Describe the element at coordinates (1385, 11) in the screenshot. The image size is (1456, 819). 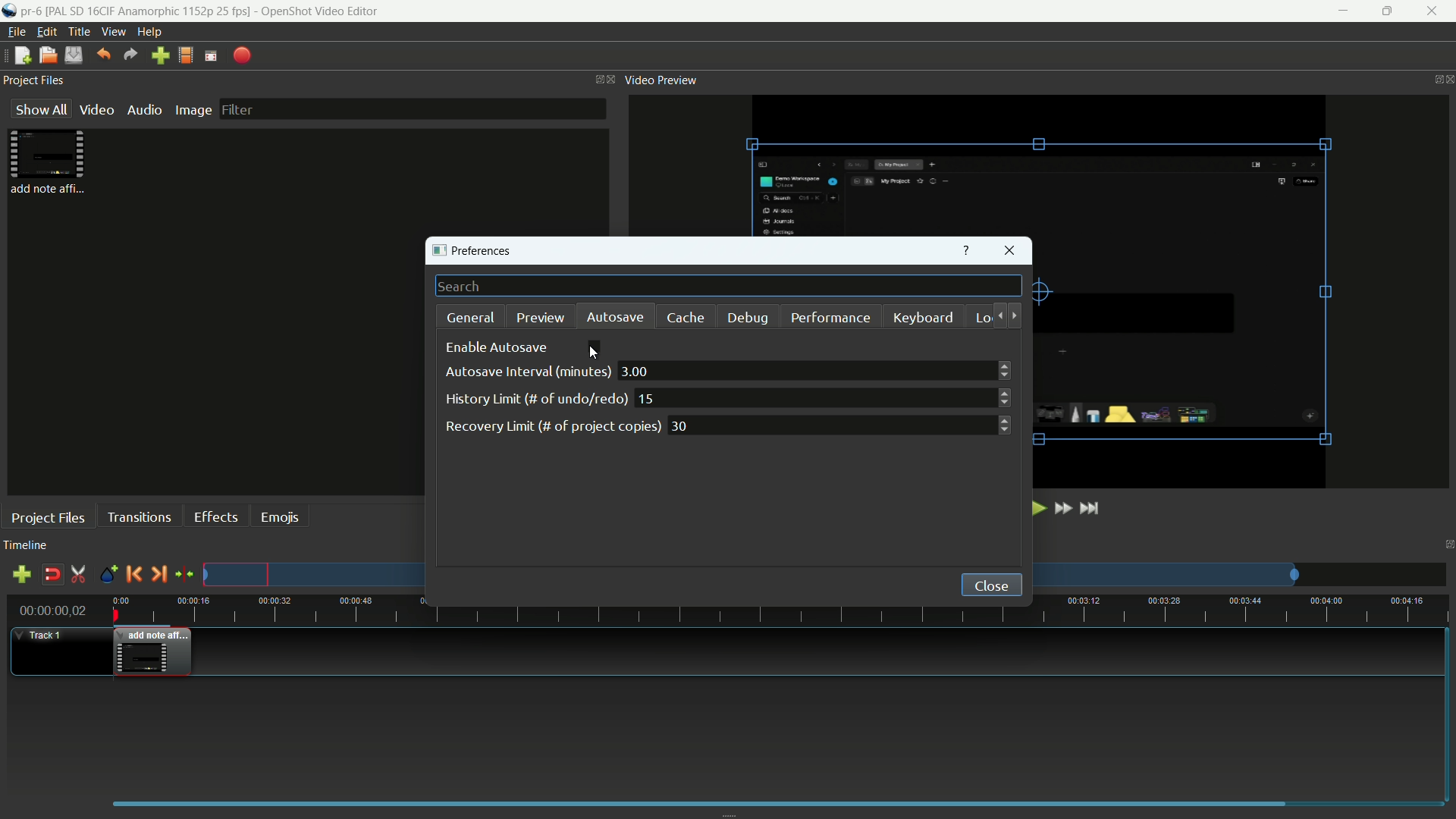
I see `maximize` at that location.